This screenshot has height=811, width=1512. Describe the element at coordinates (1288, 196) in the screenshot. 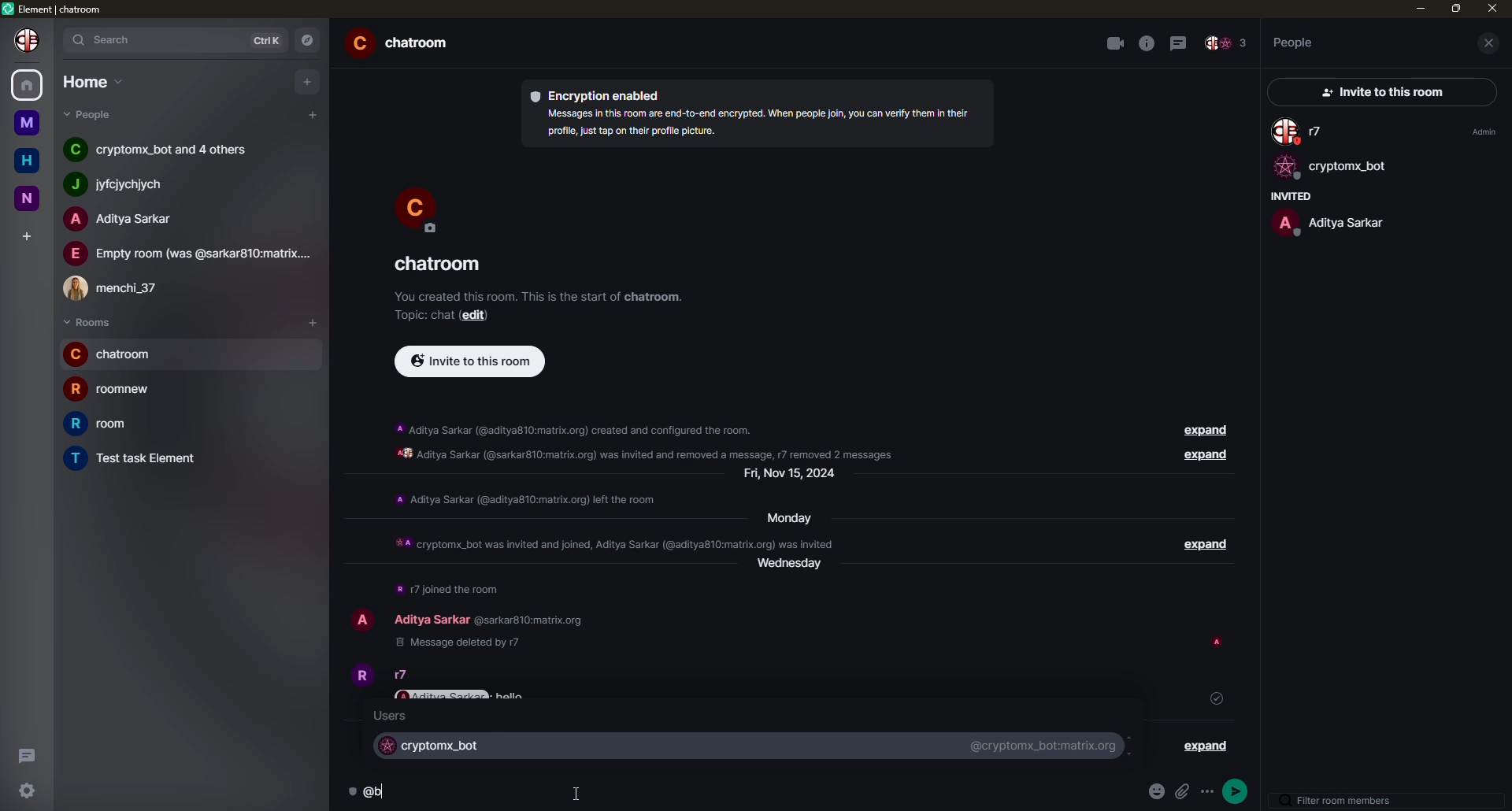

I see `invited` at that location.